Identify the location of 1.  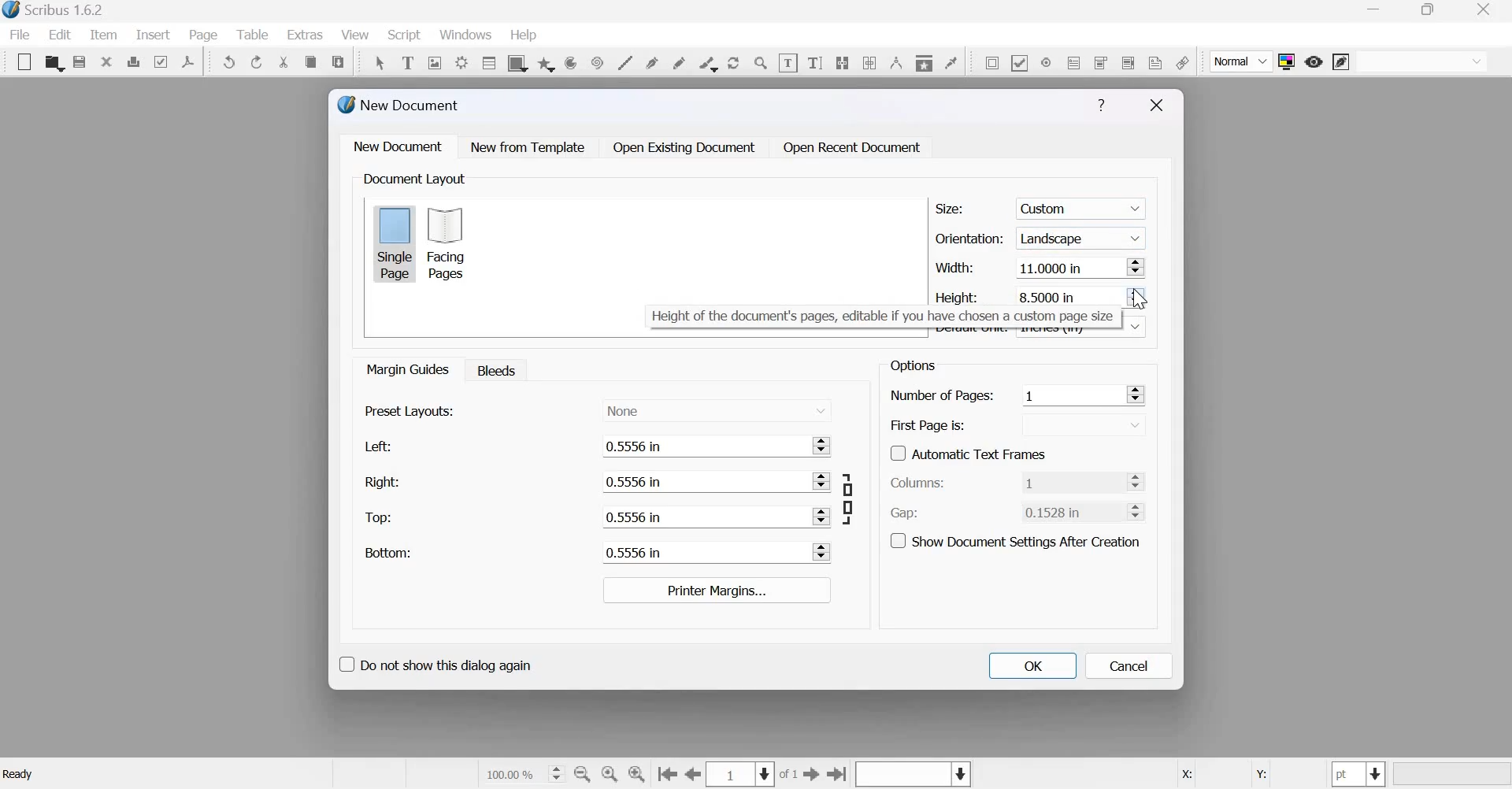
(1071, 481).